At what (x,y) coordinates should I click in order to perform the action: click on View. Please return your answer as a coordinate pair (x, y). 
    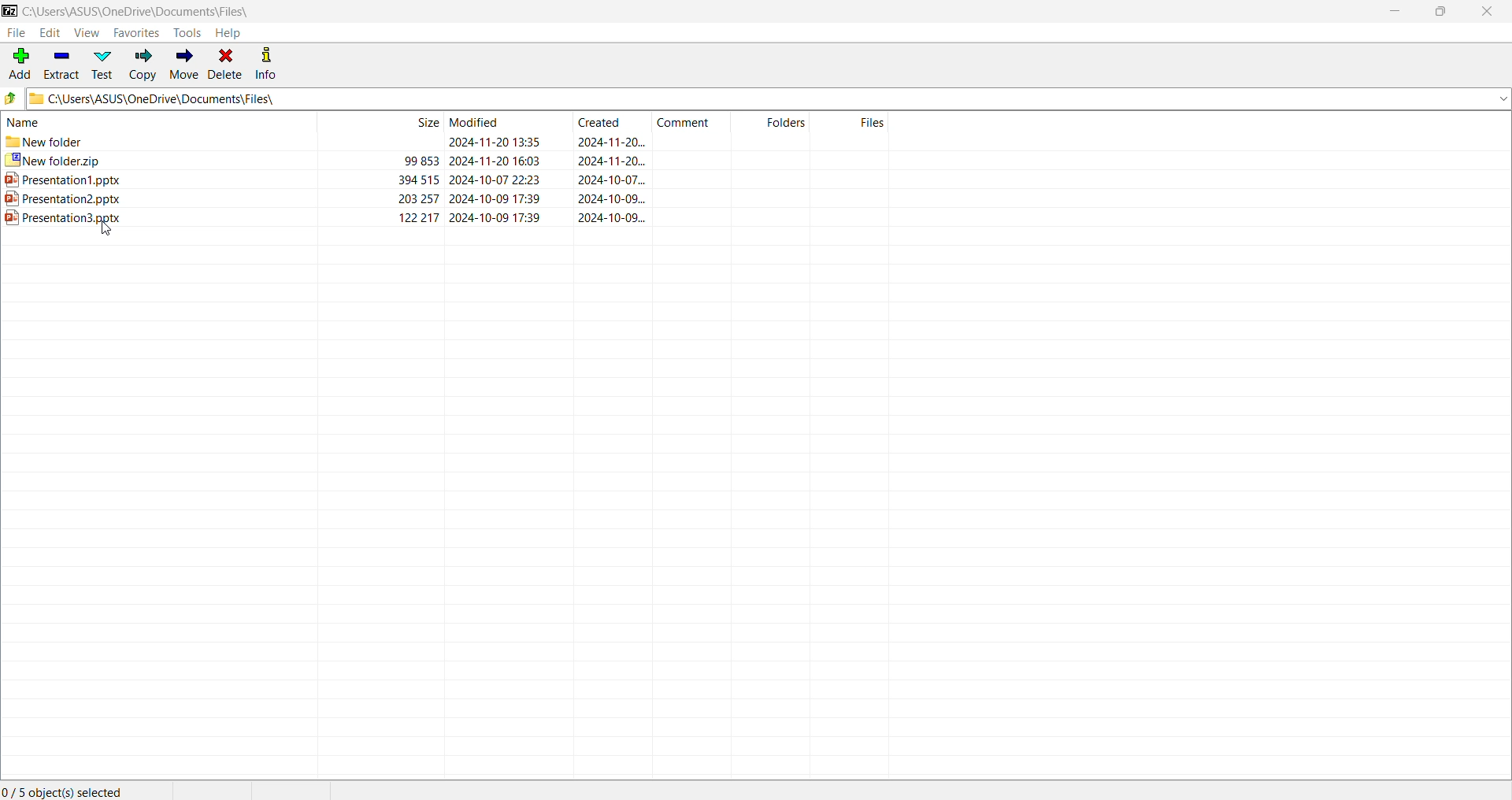
    Looking at the image, I should click on (86, 33).